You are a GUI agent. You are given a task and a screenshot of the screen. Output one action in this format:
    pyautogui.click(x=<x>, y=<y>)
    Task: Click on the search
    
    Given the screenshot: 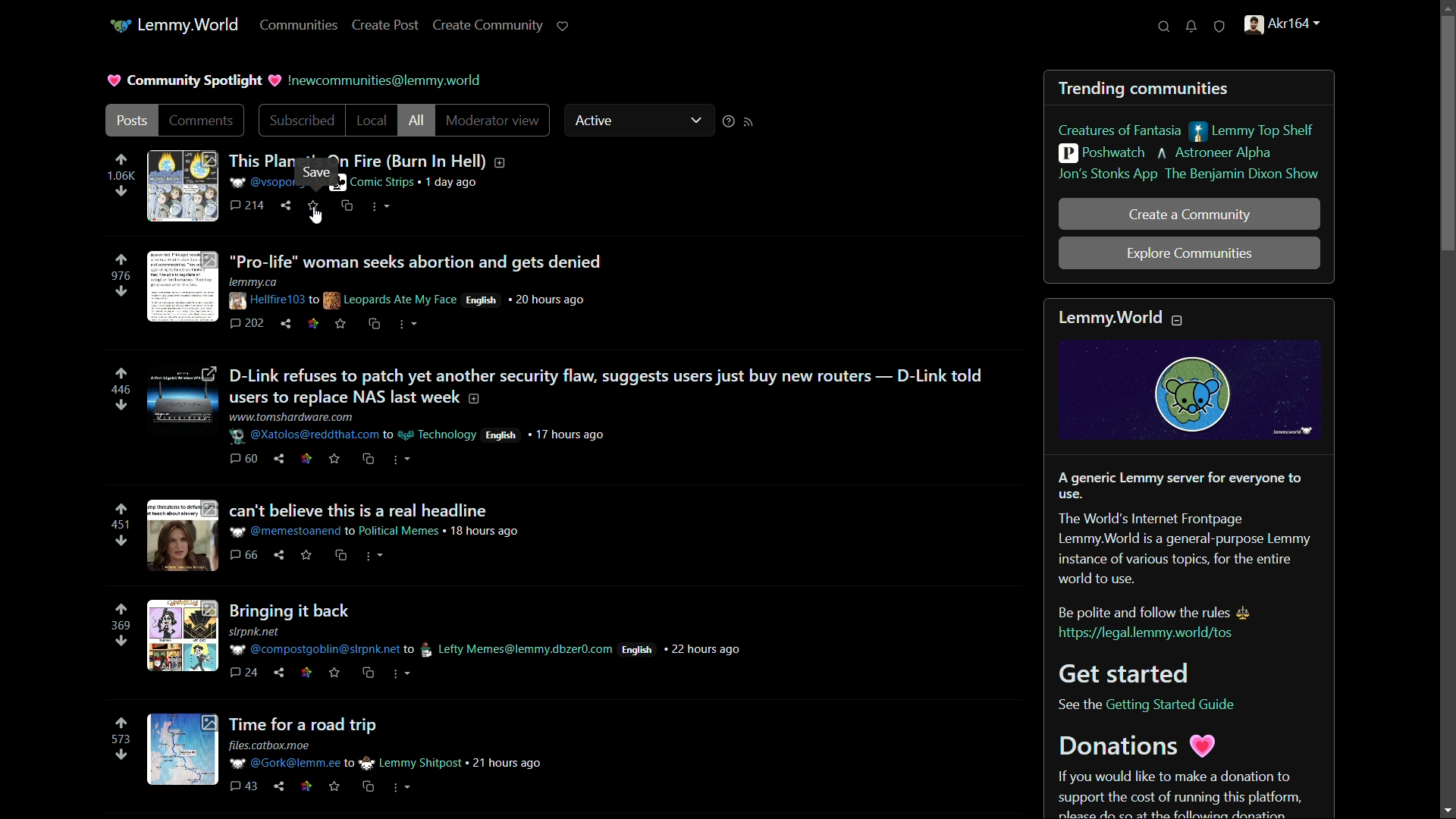 What is the action you would take?
    pyautogui.click(x=1166, y=26)
    